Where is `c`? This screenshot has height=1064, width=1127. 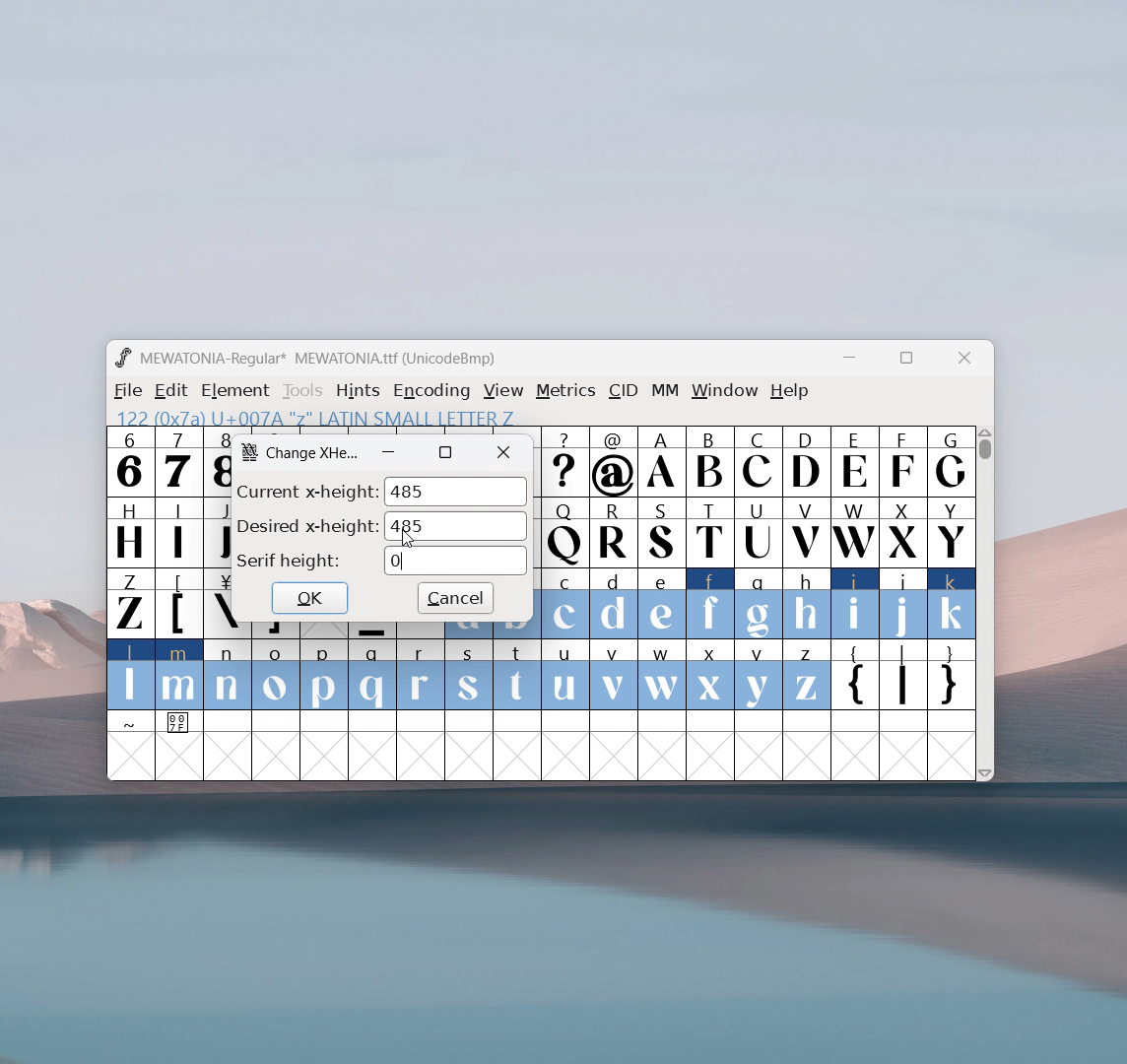
c is located at coordinates (565, 604).